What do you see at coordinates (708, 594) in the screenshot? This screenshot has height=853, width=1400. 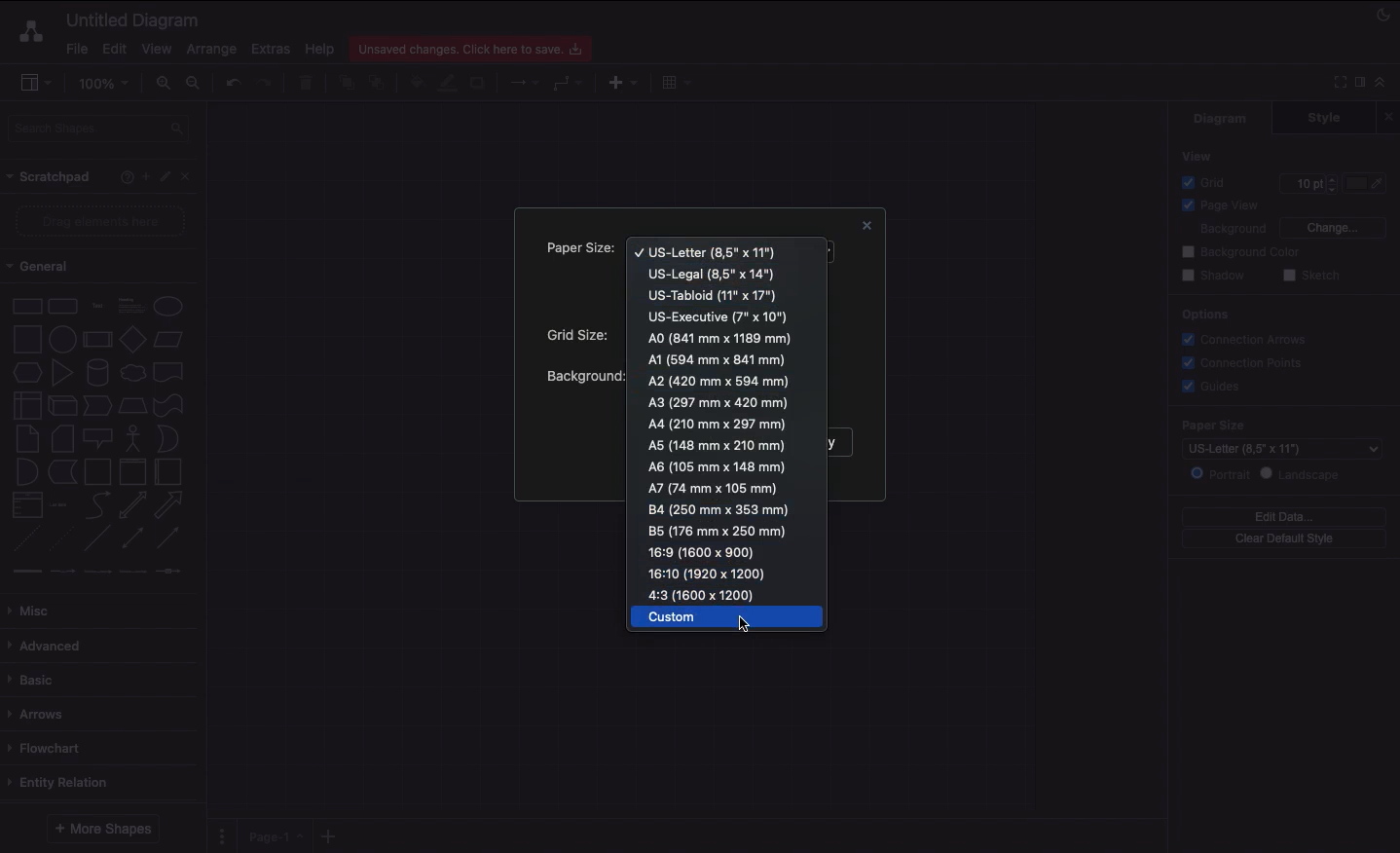 I see `4:3` at bounding box center [708, 594].